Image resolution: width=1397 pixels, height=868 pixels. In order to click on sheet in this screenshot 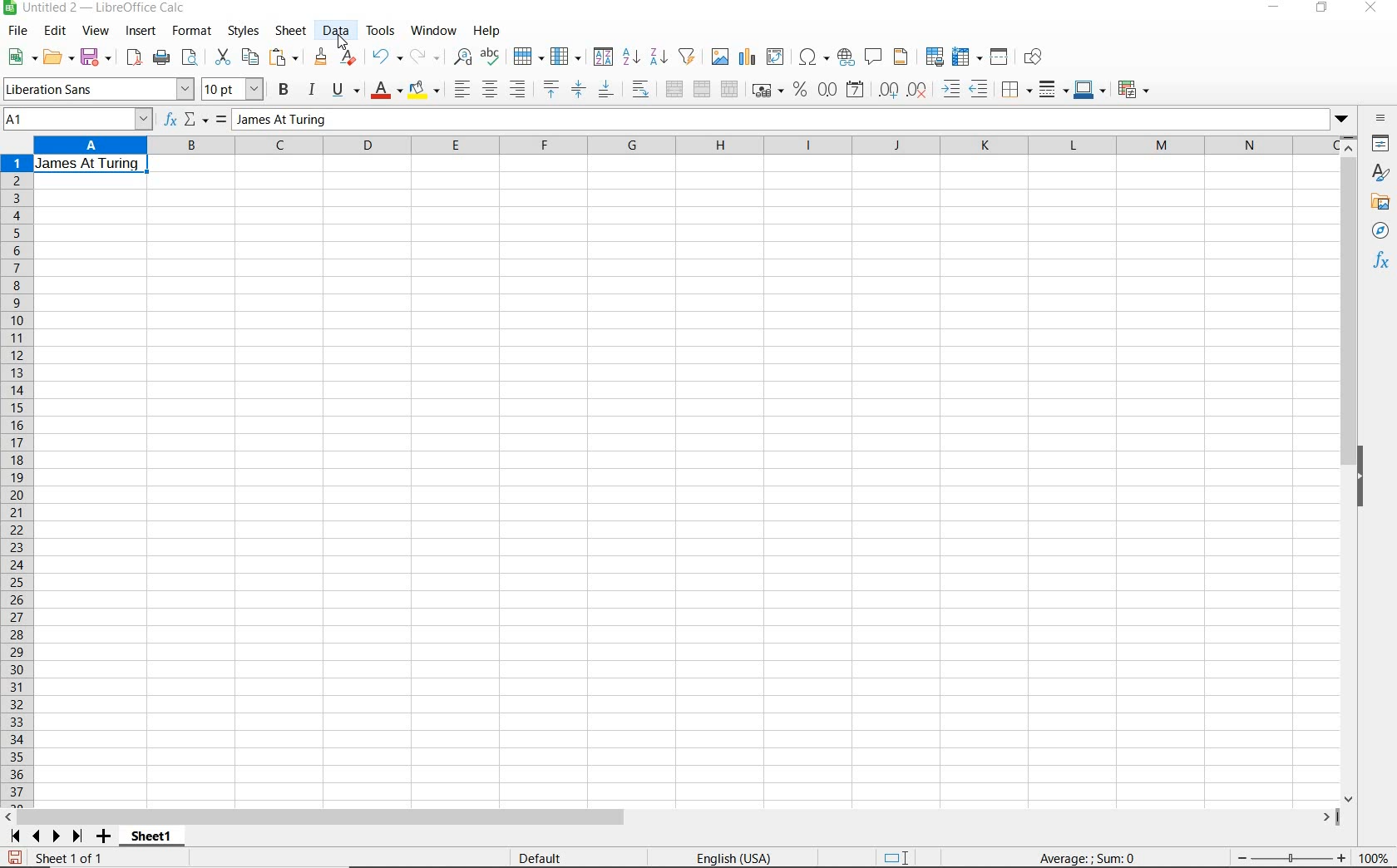, I will do `click(292, 31)`.